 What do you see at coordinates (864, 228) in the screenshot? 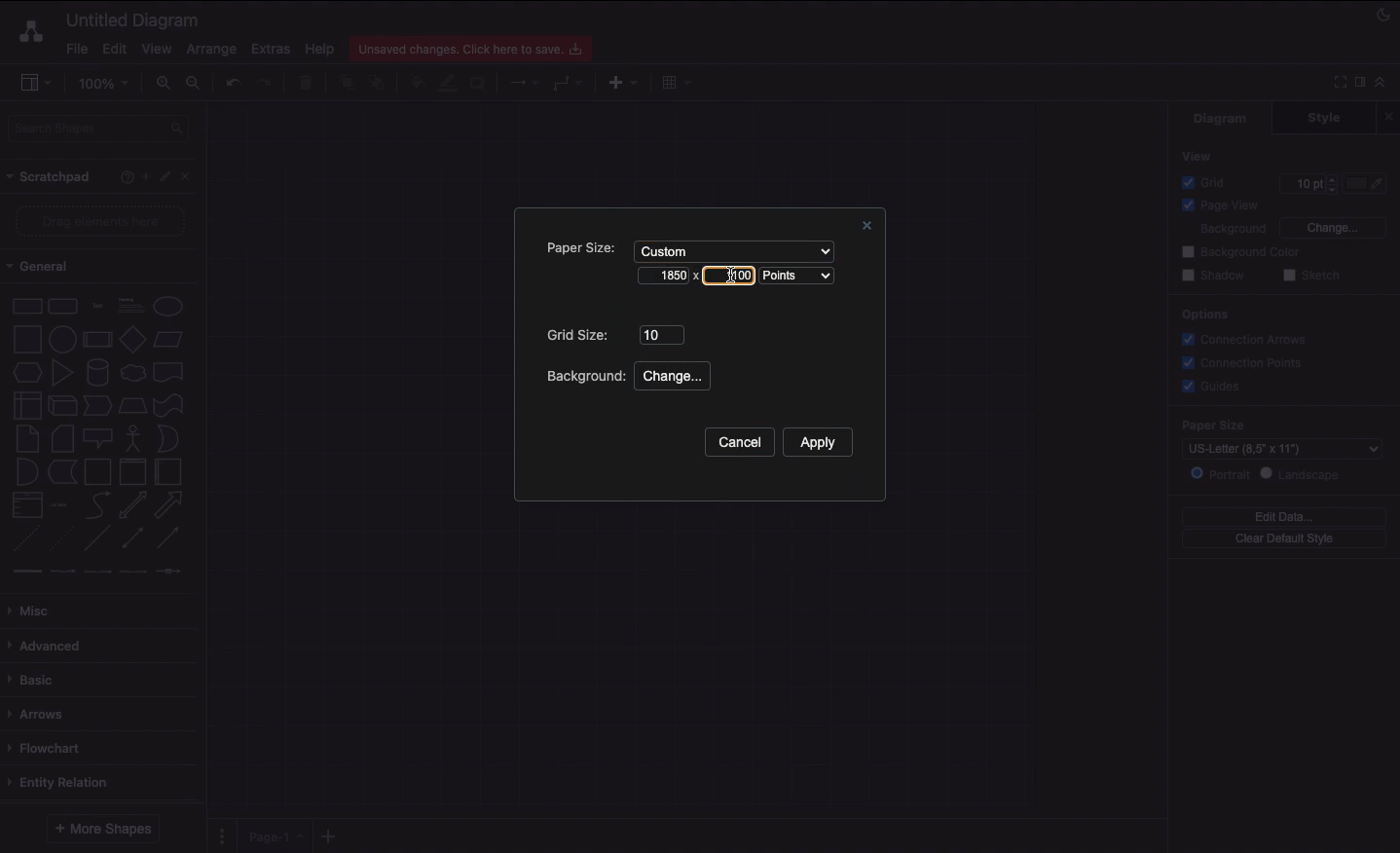
I see `Close` at bounding box center [864, 228].